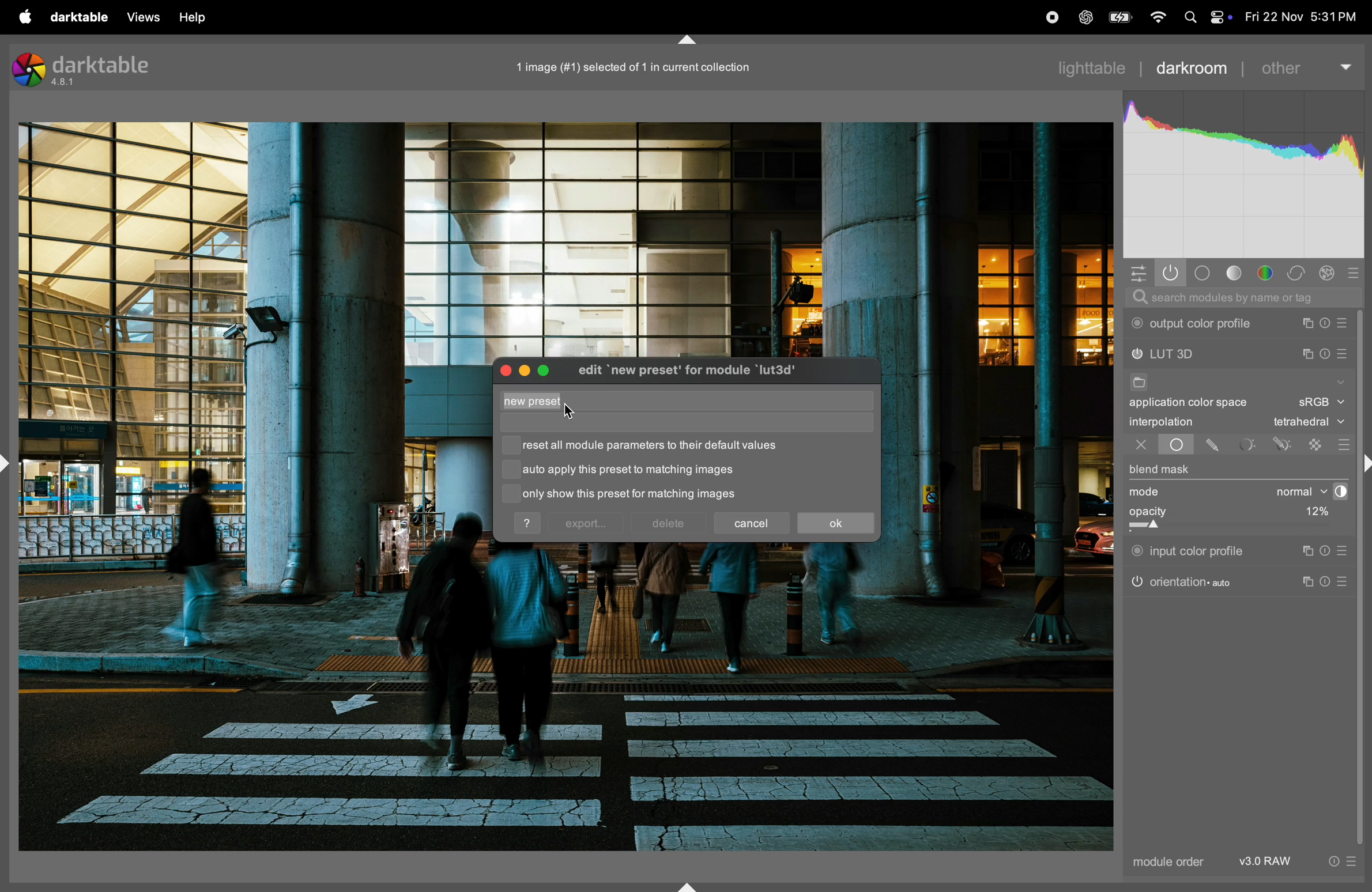 The height and width of the screenshot is (892, 1372). I want to click on text box, so click(658, 402).